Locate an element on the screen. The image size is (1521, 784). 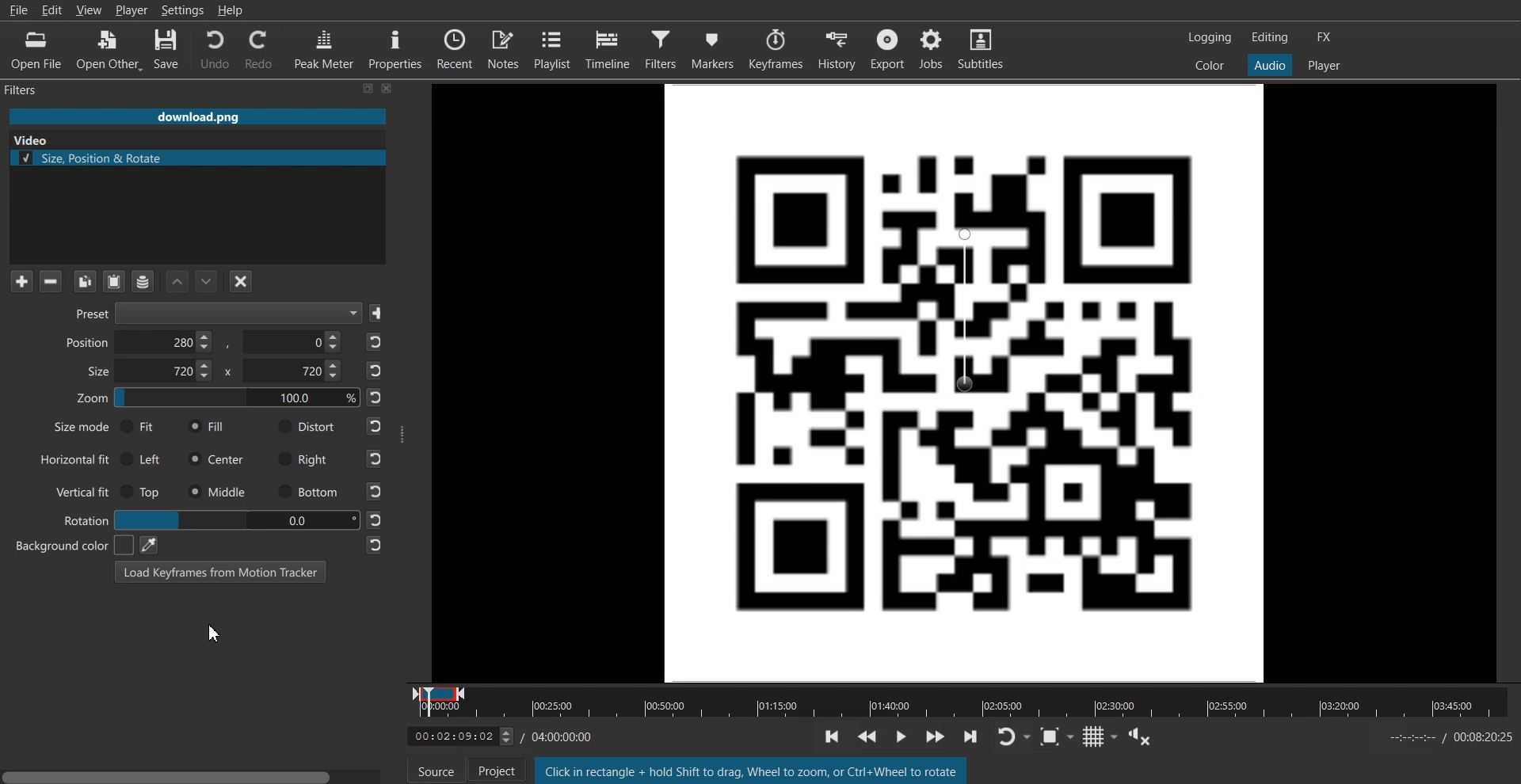
Add Filter is located at coordinates (21, 281).